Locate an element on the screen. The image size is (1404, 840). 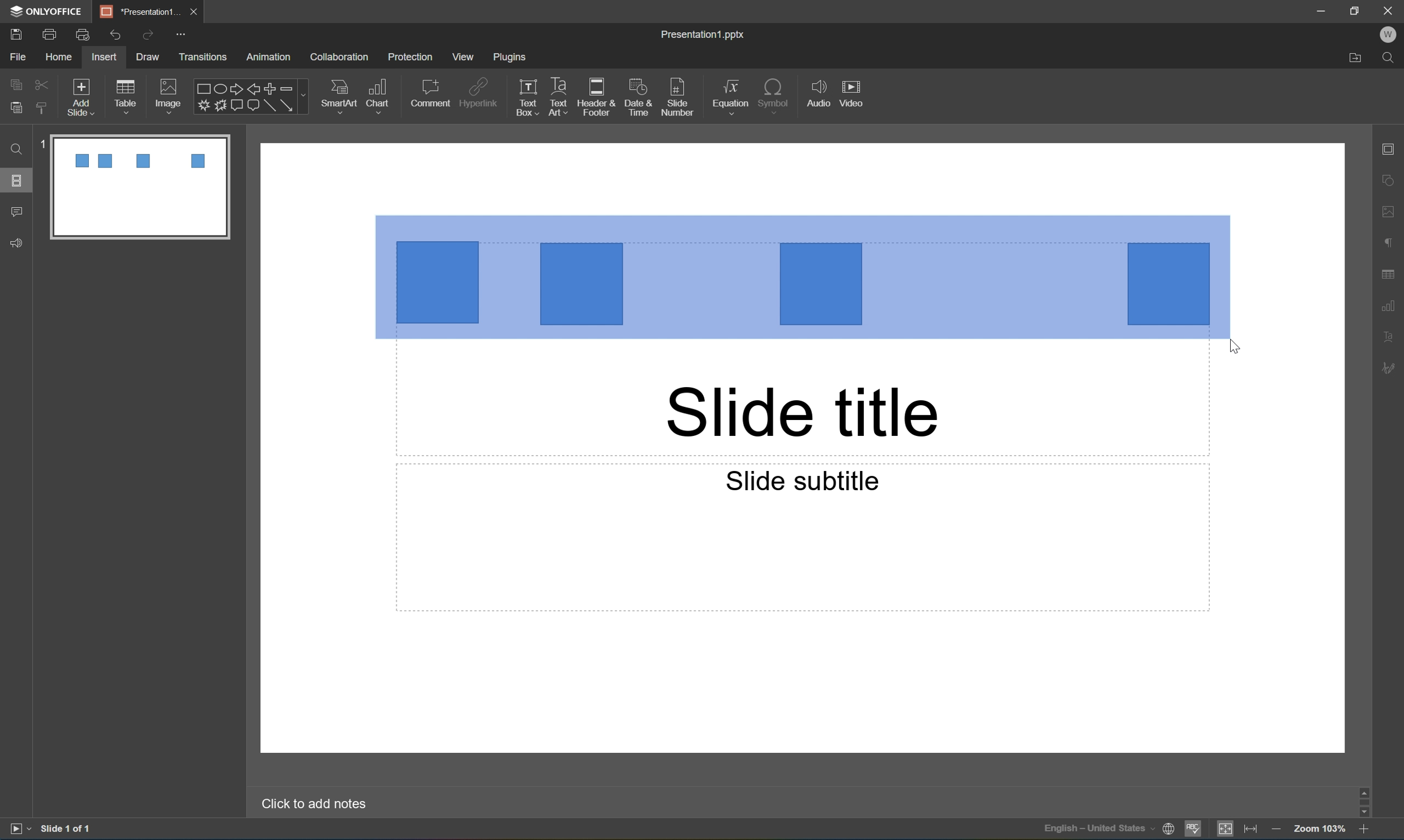
comments is located at coordinates (16, 212).